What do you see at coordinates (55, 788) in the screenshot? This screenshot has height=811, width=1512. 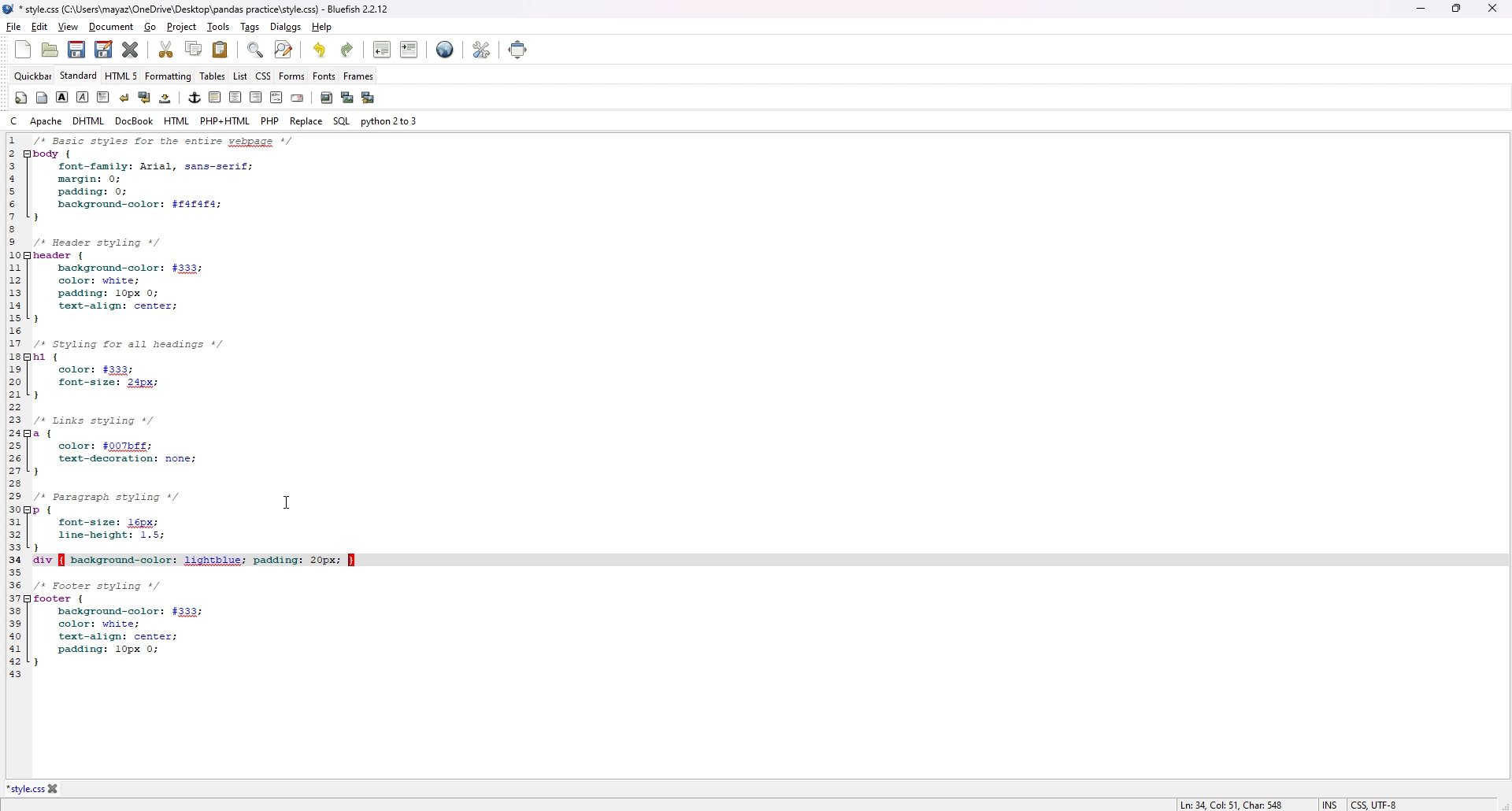 I see `close file` at bounding box center [55, 788].